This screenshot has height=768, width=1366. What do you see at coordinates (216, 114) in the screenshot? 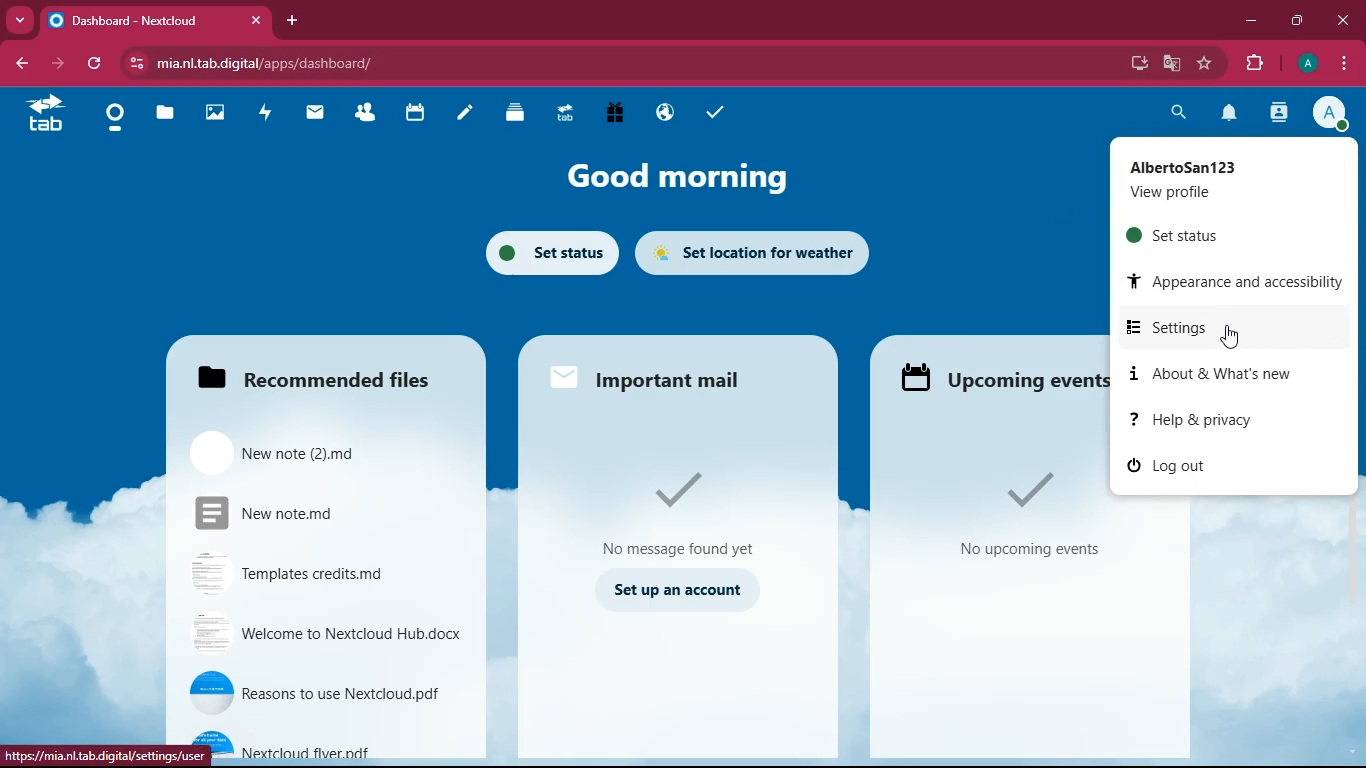
I see `images` at bounding box center [216, 114].